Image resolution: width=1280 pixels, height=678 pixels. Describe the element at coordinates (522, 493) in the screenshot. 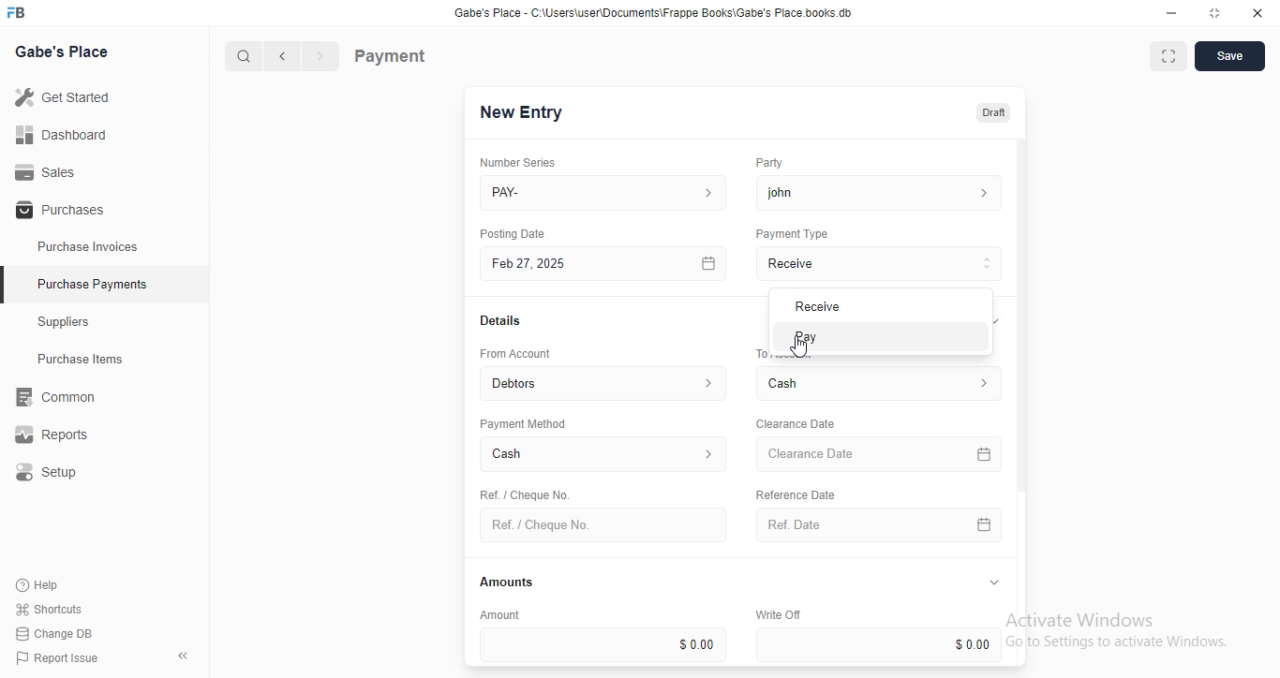

I see `Ret. / Cheque No.` at that location.